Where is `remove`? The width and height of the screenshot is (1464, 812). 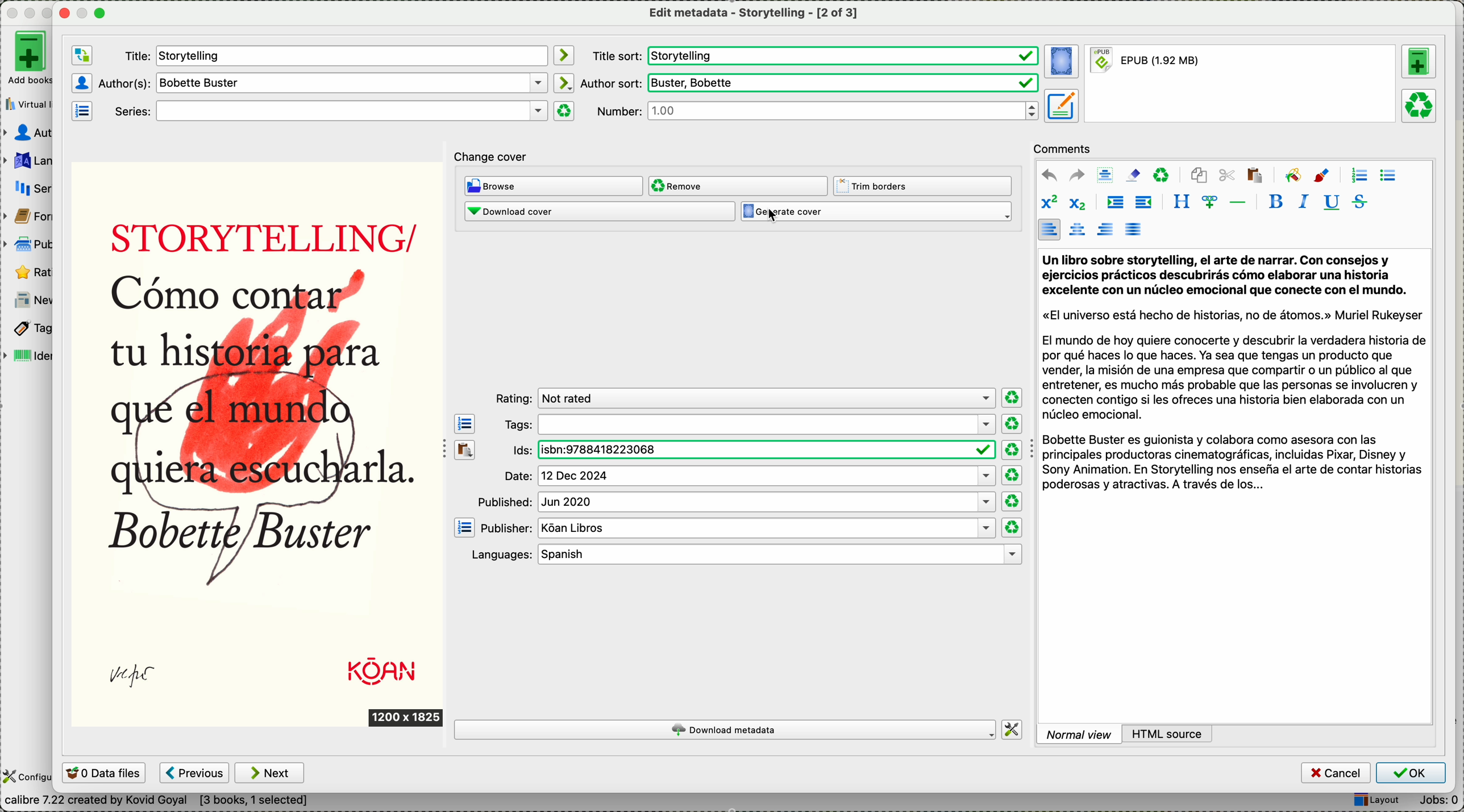
remove is located at coordinates (739, 185).